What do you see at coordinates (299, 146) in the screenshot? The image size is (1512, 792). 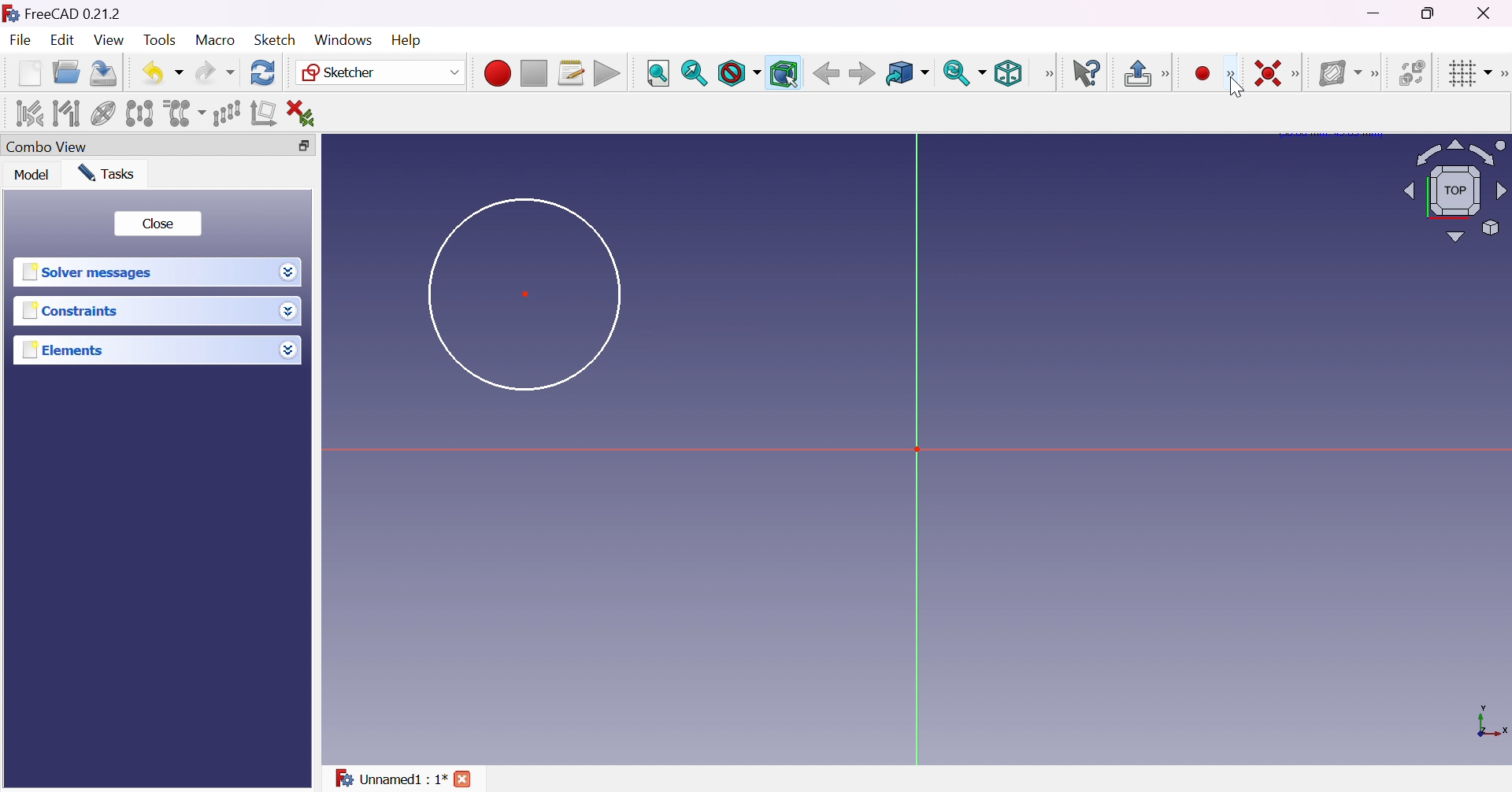 I see `Restore down` at bounding box center [299, 146].